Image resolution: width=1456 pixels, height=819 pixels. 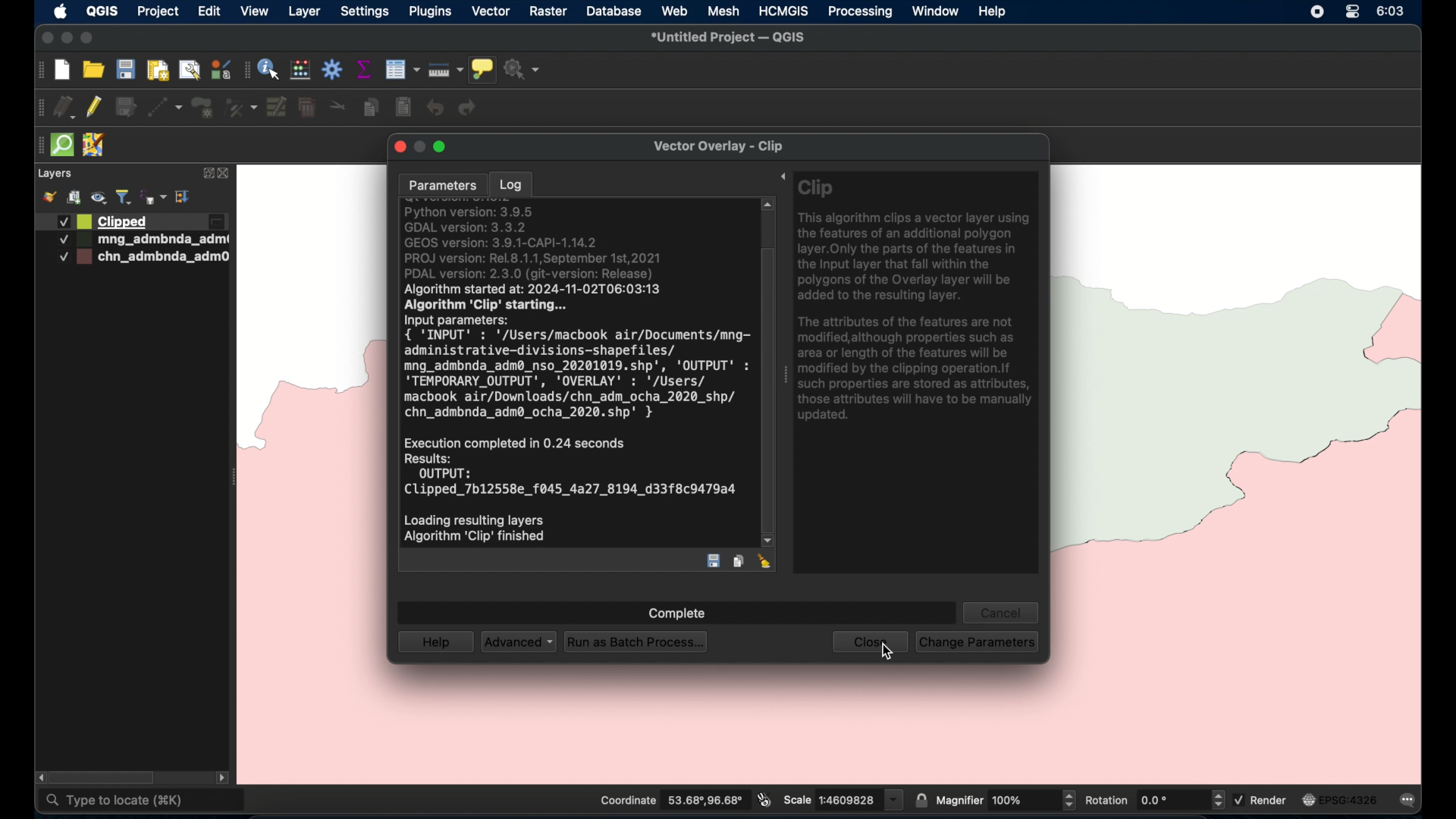 What do you see at coordinates (105, 778) in the screenshot?
I see `scroll box` at bounding box center [105, 778].